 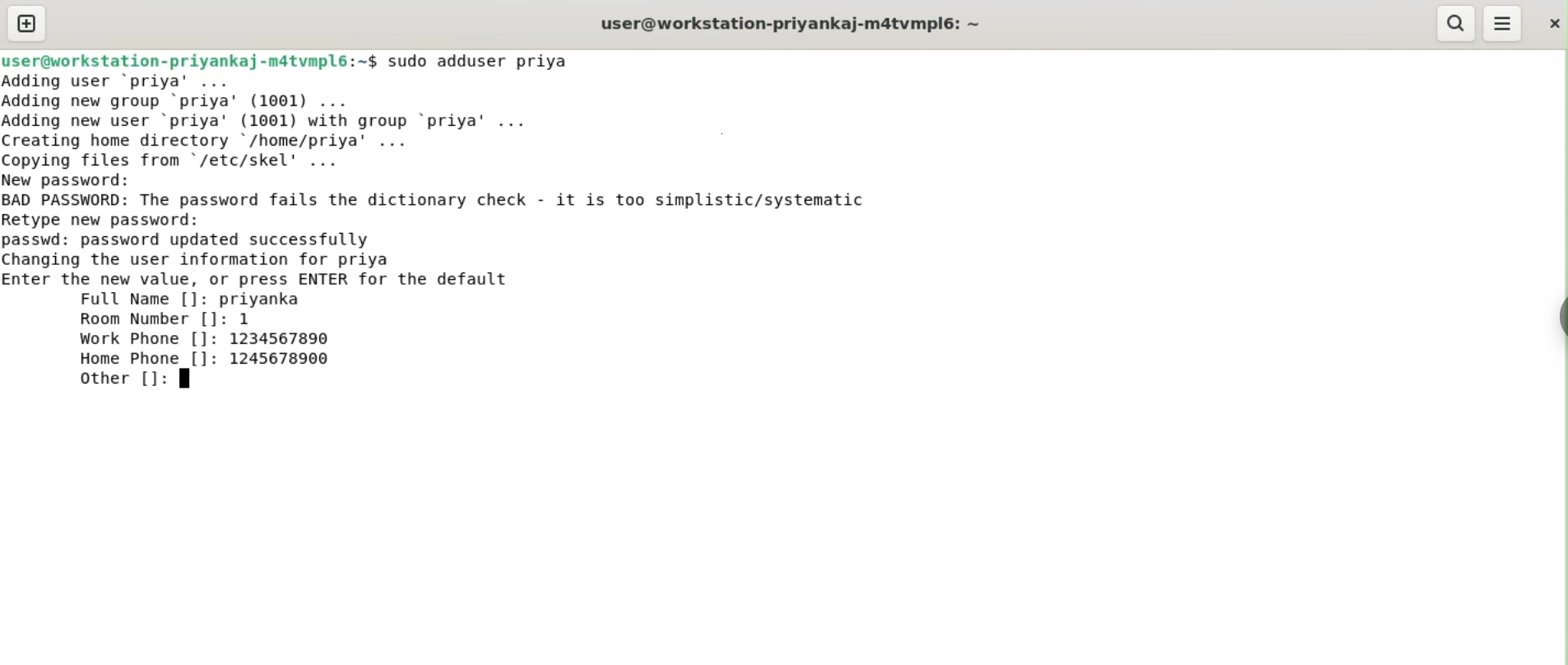 What do you see at coordinates (1454, 23) in the screenshot?
I see `search` at bounding box center [1454, 23].